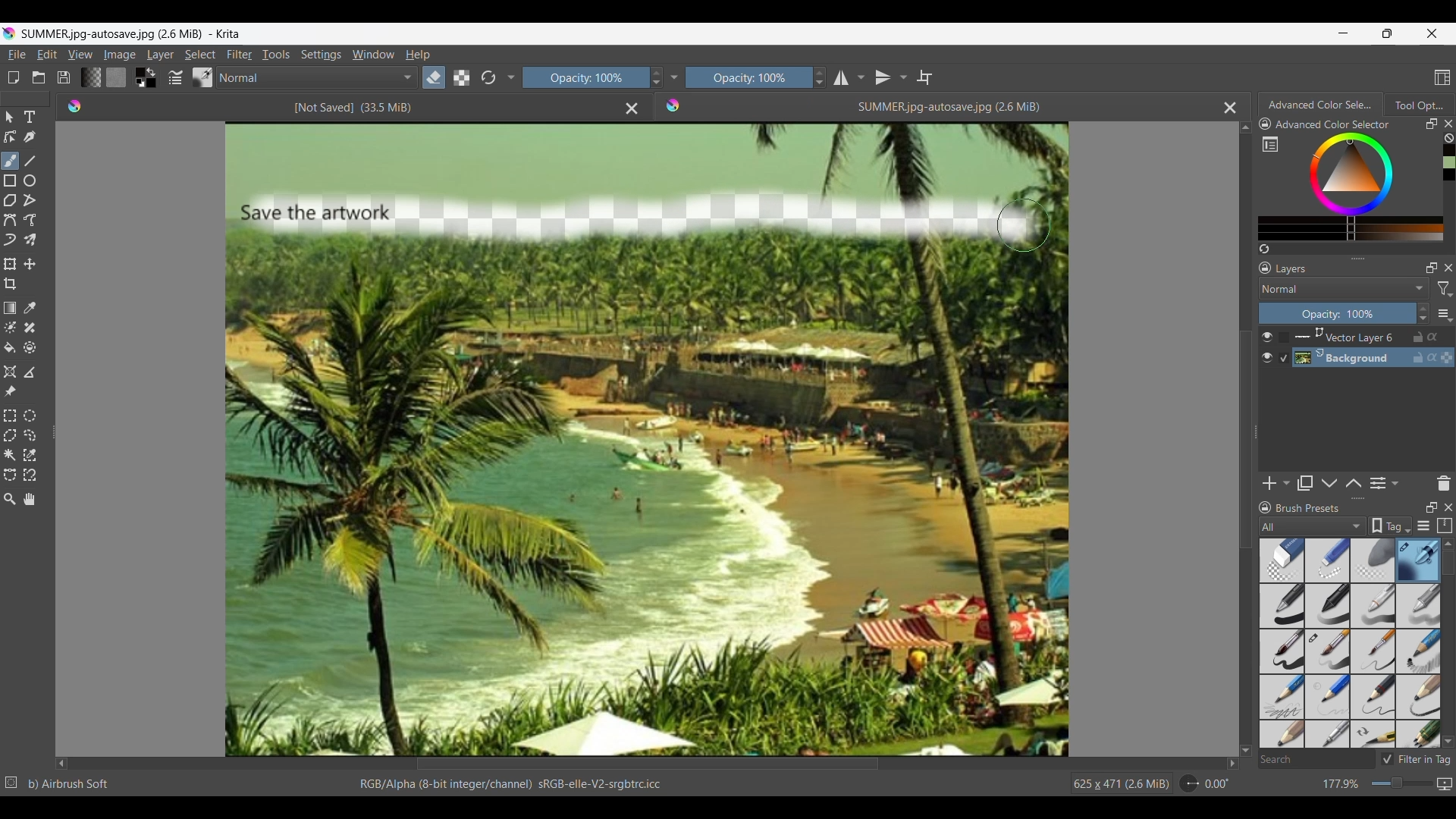 The height and width of the screenshot is (819, 1456). What do you see at coordinates (1266, 124) in the screenshot?
I see `Lock color settings` at bounding box center [1266, 124].